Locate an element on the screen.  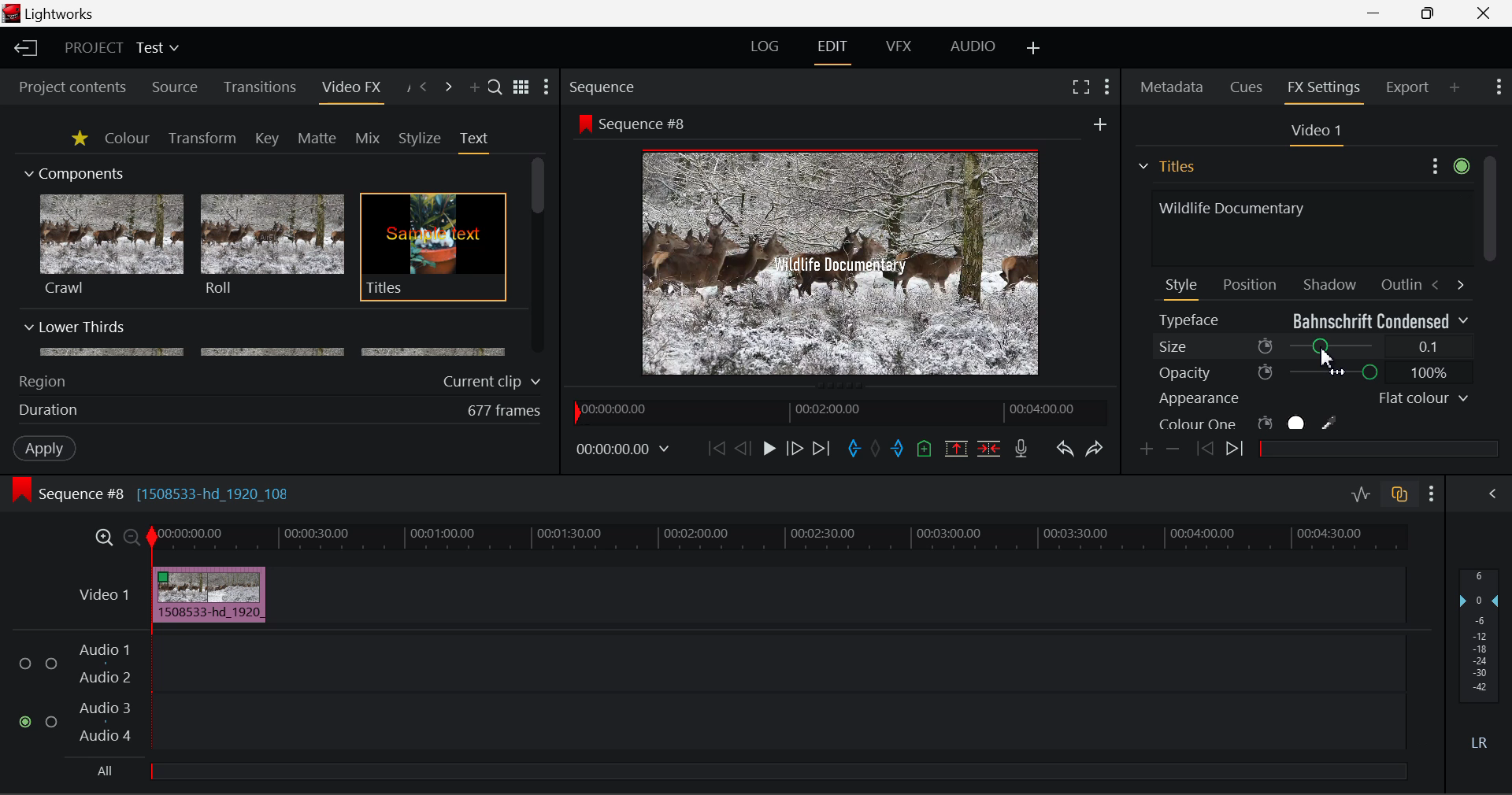
Delete/Cut is located at coordinates (991, 448).